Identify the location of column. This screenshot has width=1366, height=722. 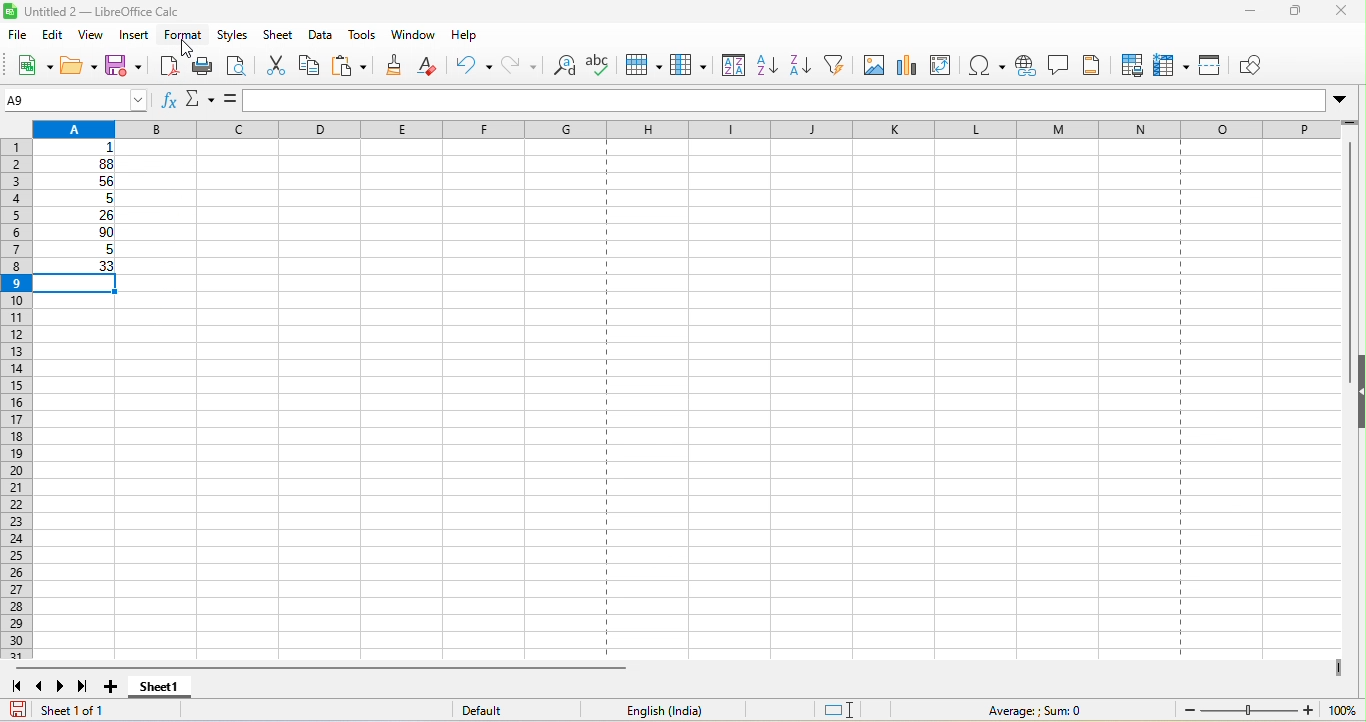
(689, 67).